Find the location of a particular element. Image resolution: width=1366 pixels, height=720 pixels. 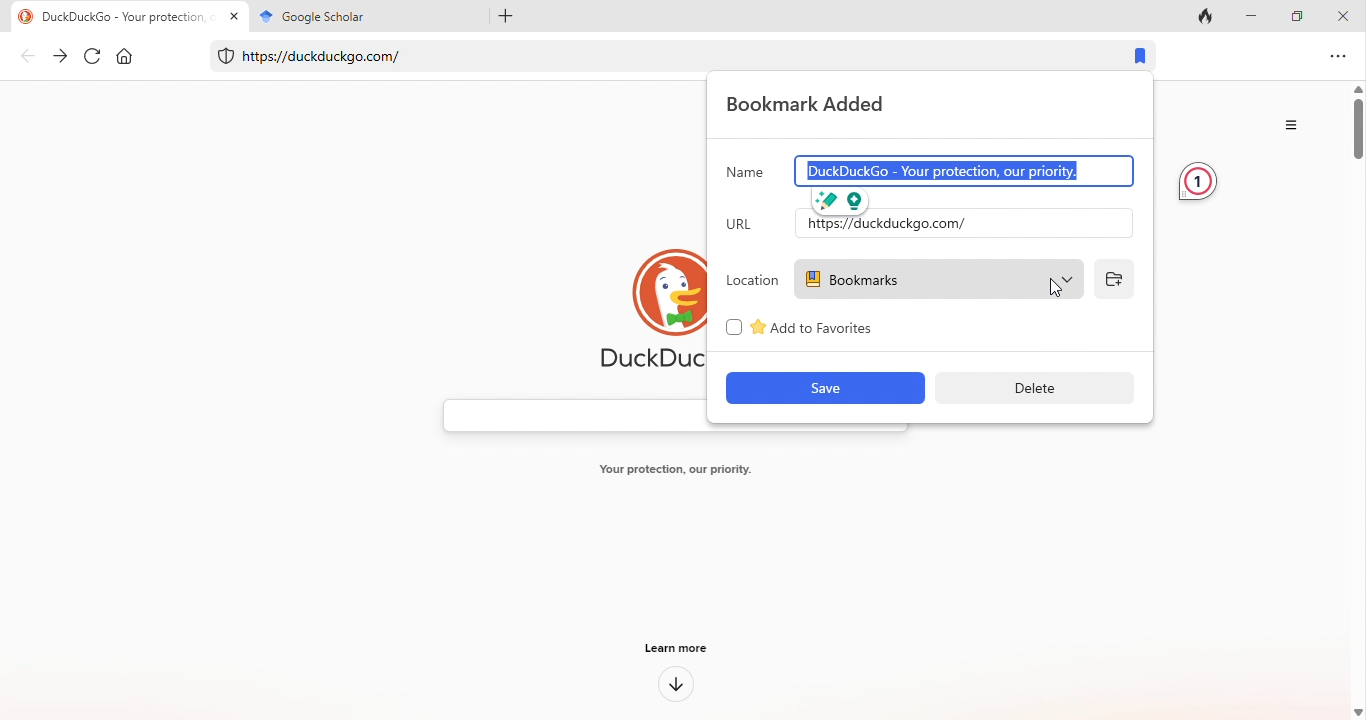

location is located at coordinates (752, 281).